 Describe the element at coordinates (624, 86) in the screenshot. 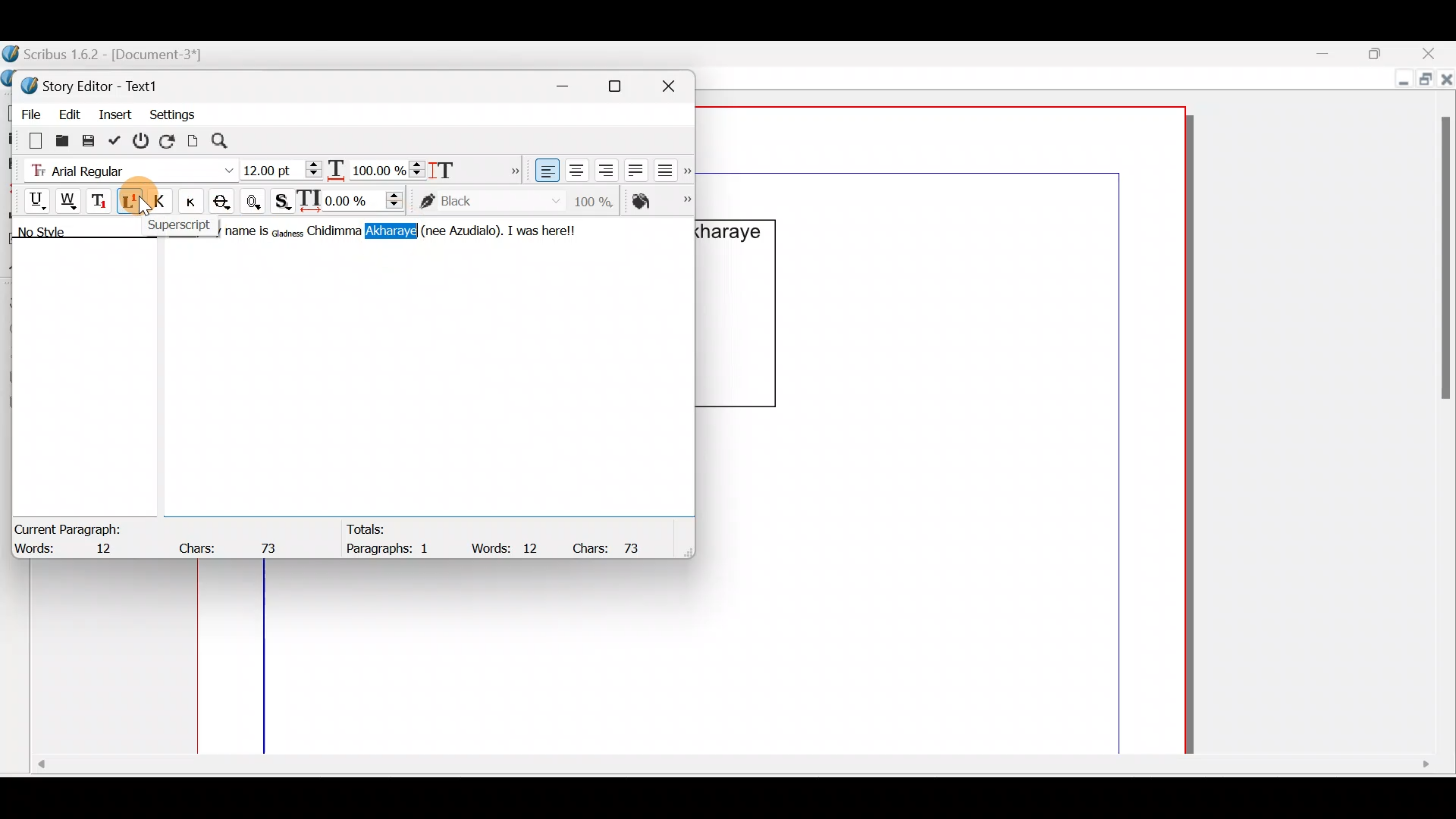

I see `Maximize` at that location.